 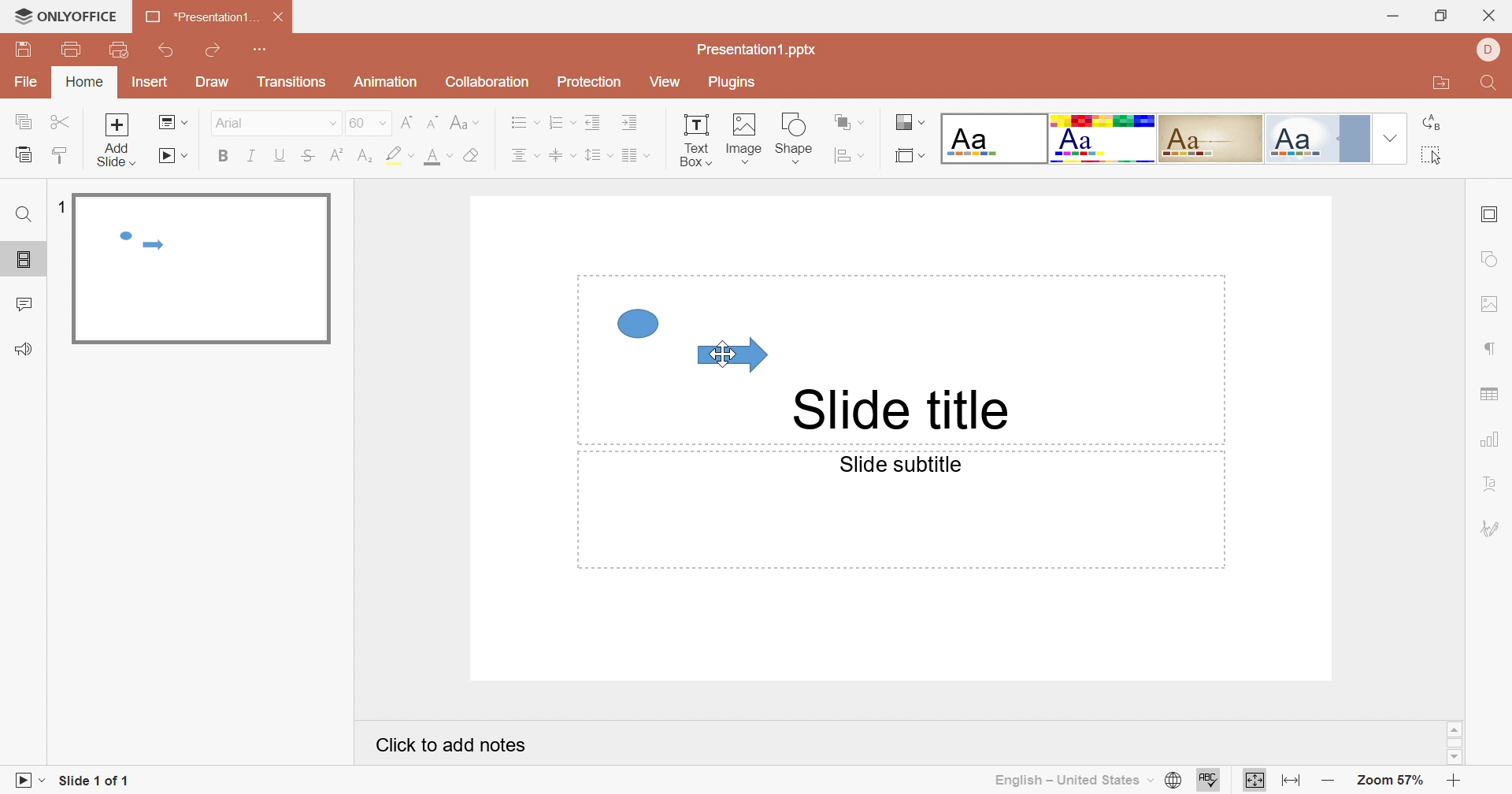 I want to click on Copy Style, so click(x=59, y=158).